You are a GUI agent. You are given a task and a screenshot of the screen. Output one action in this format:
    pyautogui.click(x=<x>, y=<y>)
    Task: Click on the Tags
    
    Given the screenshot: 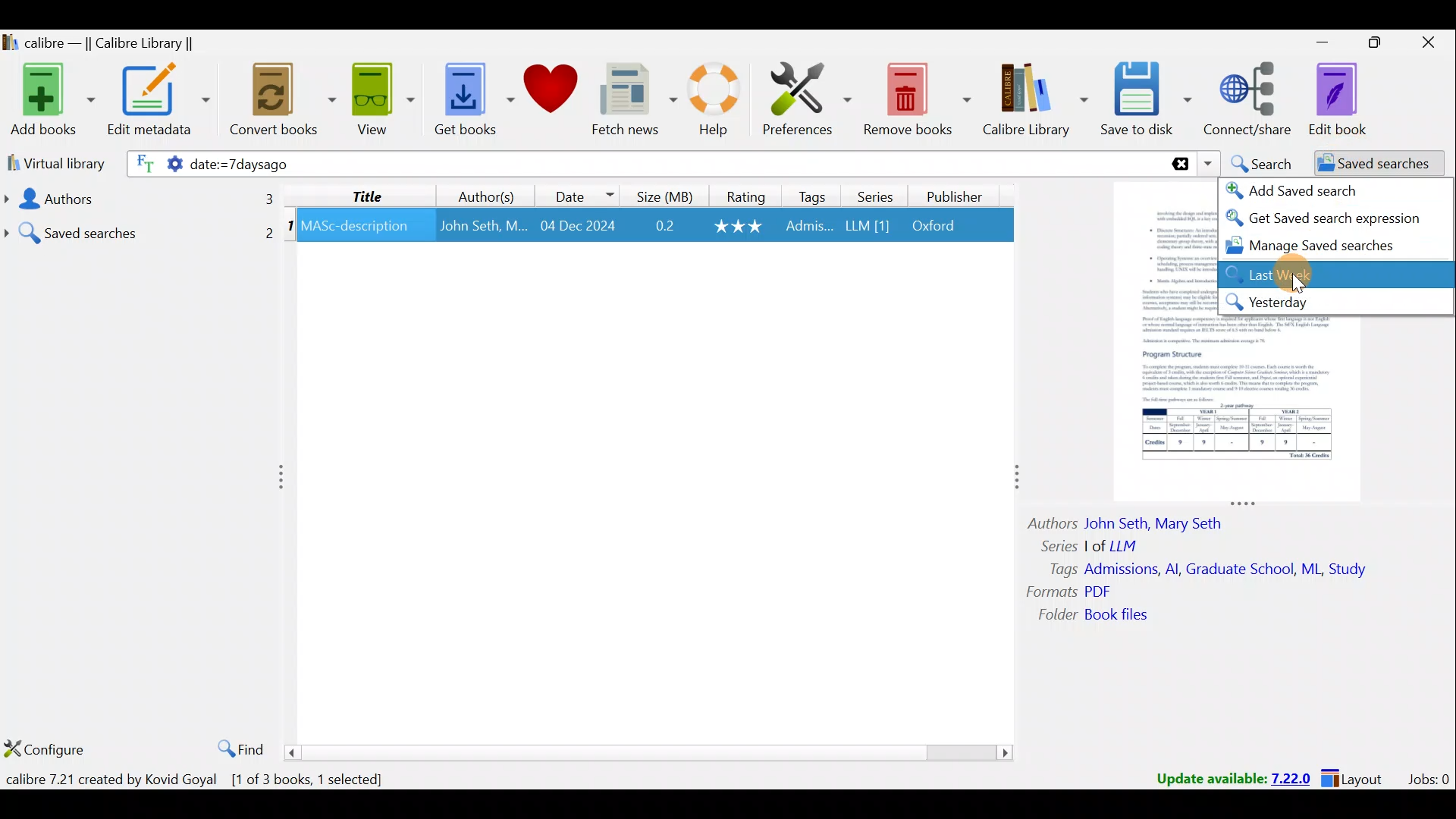 What is the action you would take?
    pyautogui.click(x=813, y=196)
    